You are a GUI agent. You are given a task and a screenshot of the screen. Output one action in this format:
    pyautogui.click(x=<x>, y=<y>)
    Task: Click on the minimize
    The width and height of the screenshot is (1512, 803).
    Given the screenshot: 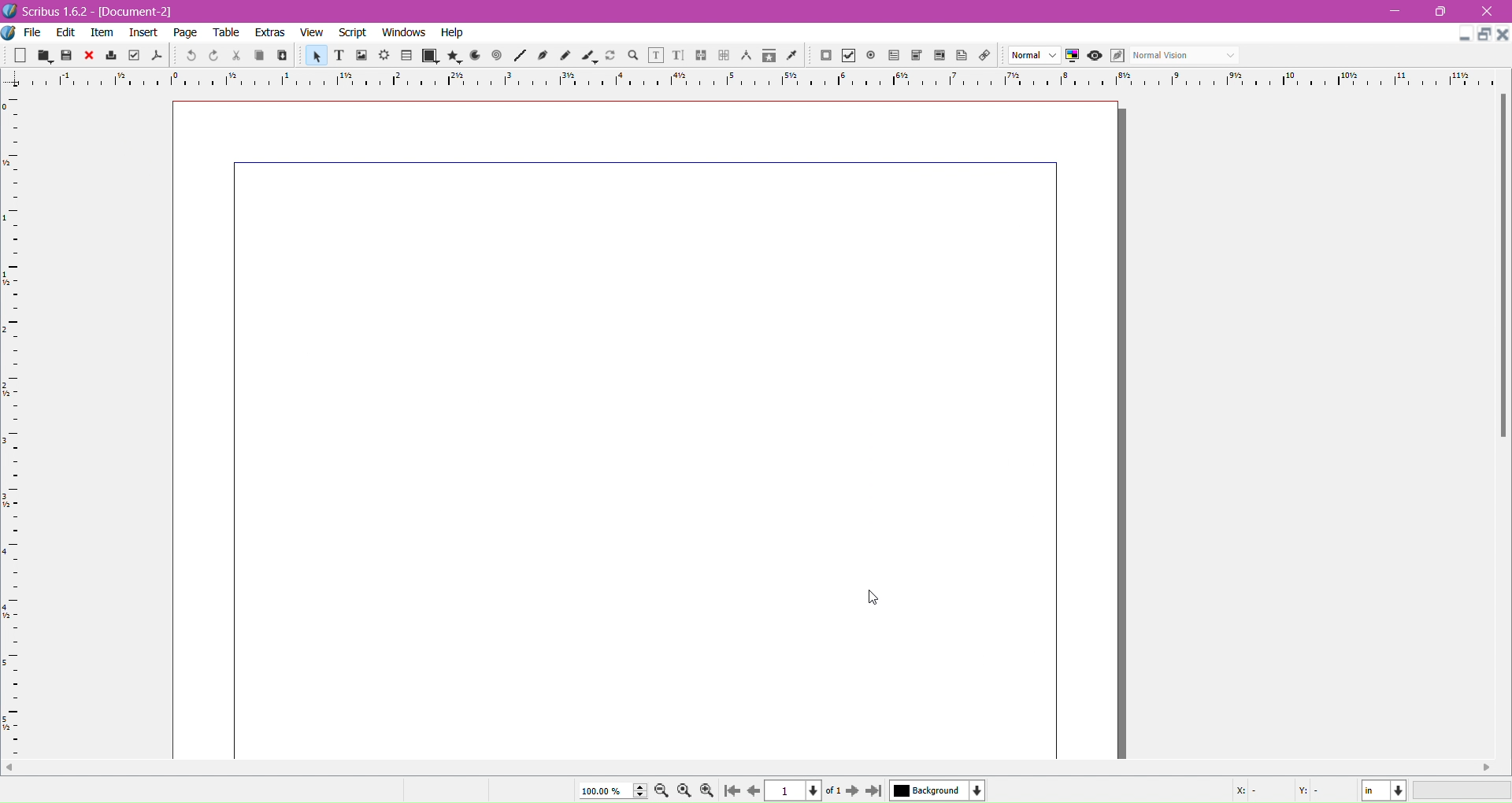 What is the action you would take?
    pyautogui.click(x=1458, y=35)
    